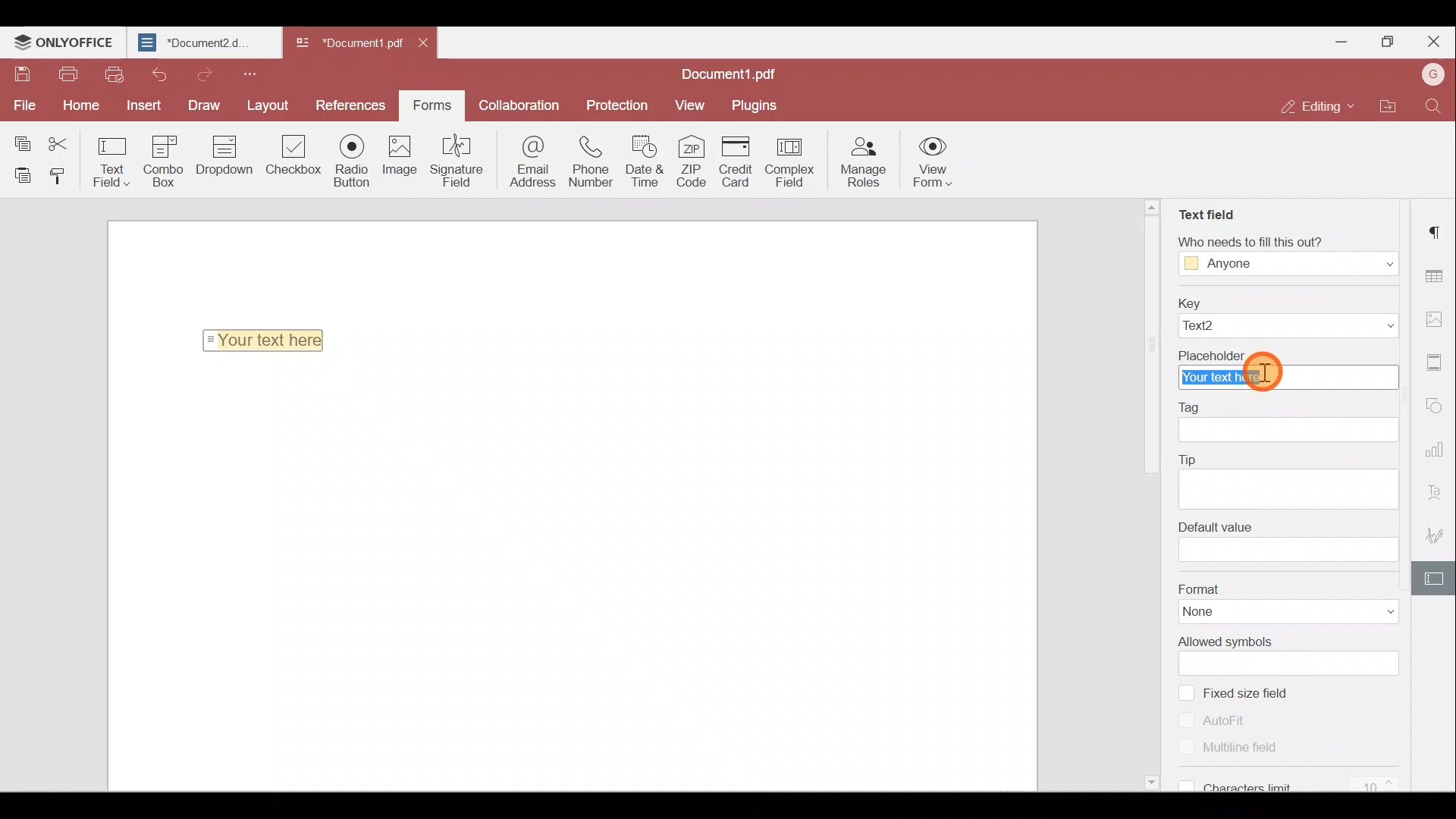  I want to click on tag field, so click(1289, 431).